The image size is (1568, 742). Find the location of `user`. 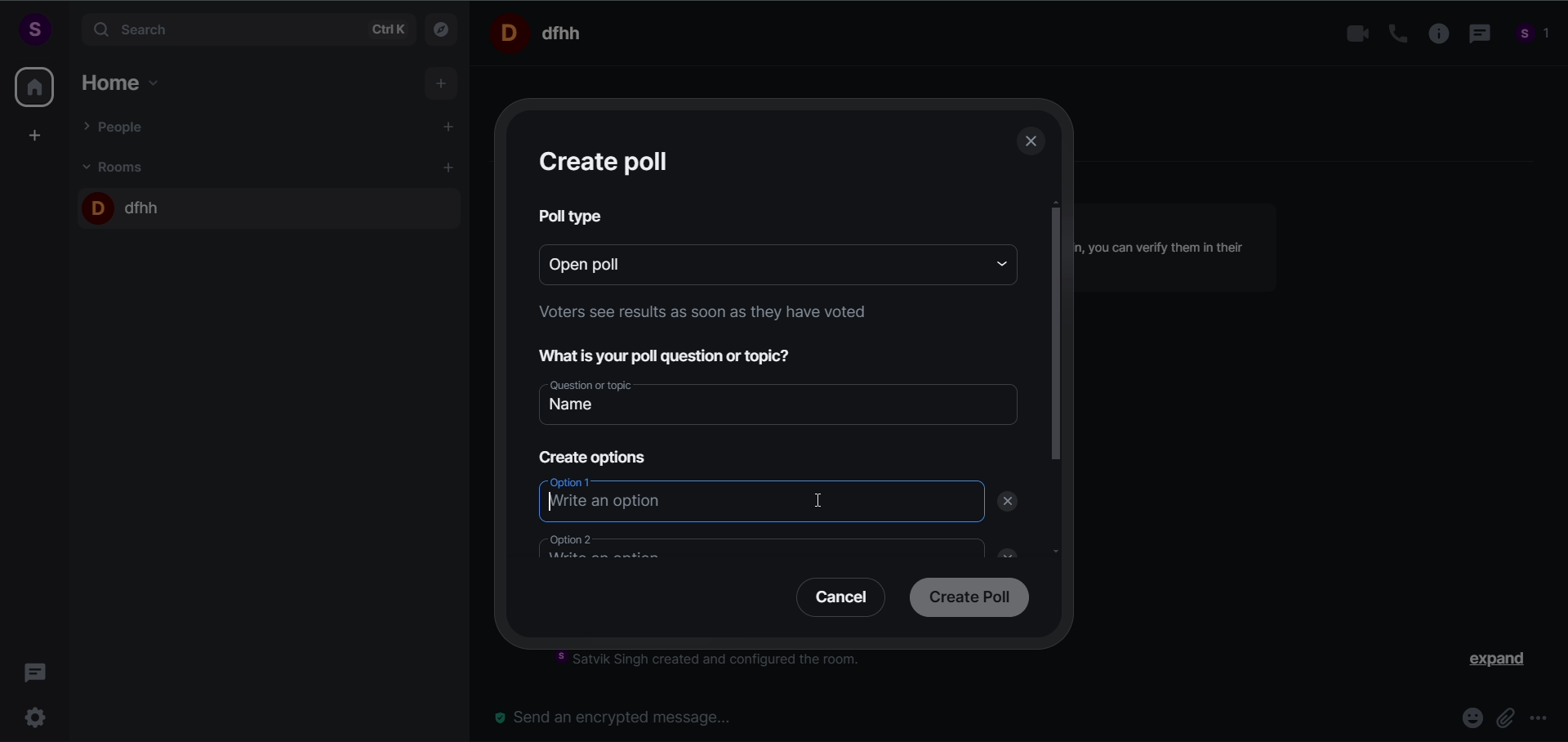

user is located at coordinates (33, 29).